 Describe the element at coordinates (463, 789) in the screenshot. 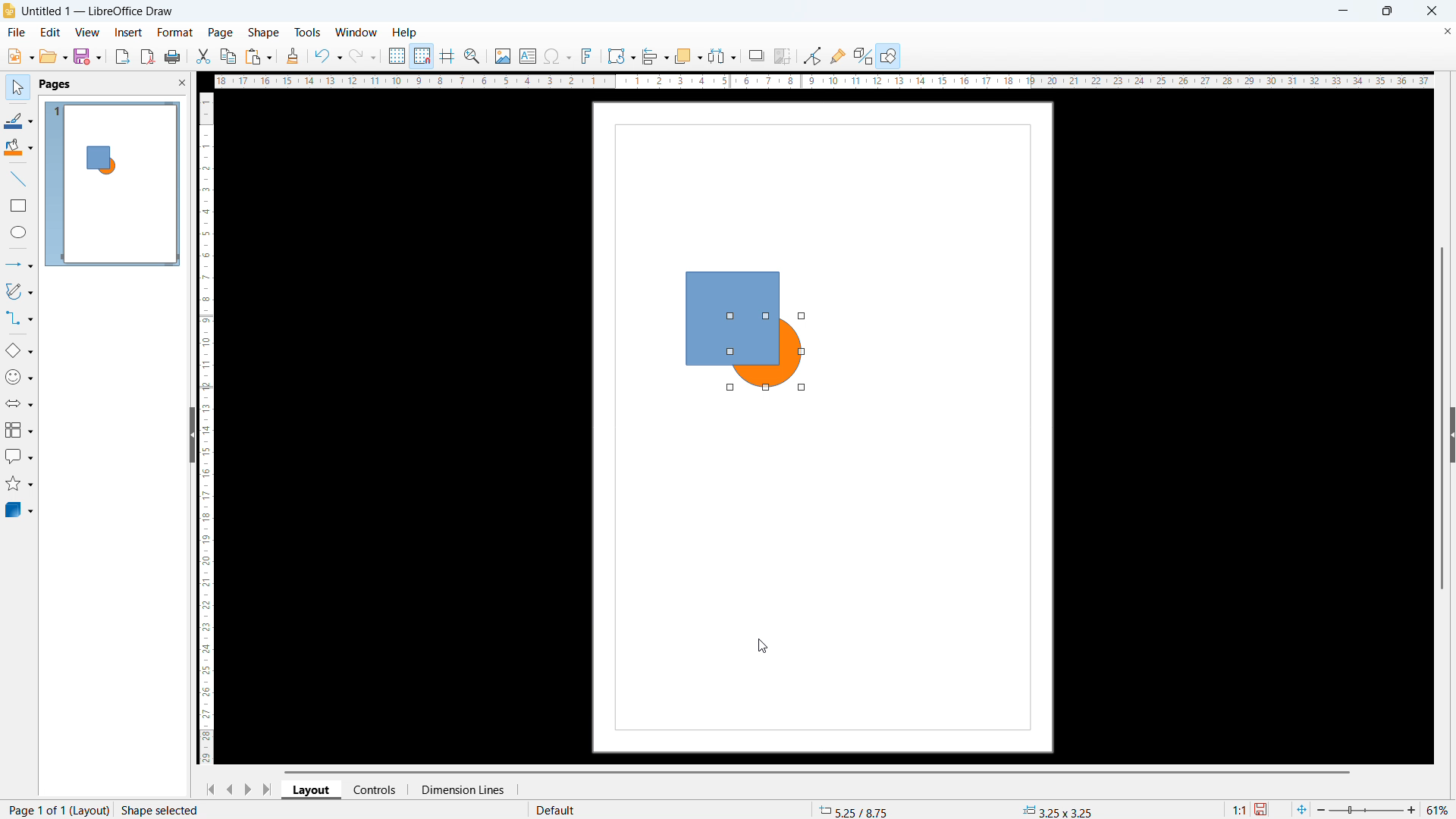

I see `Dimension lines ` at that location.